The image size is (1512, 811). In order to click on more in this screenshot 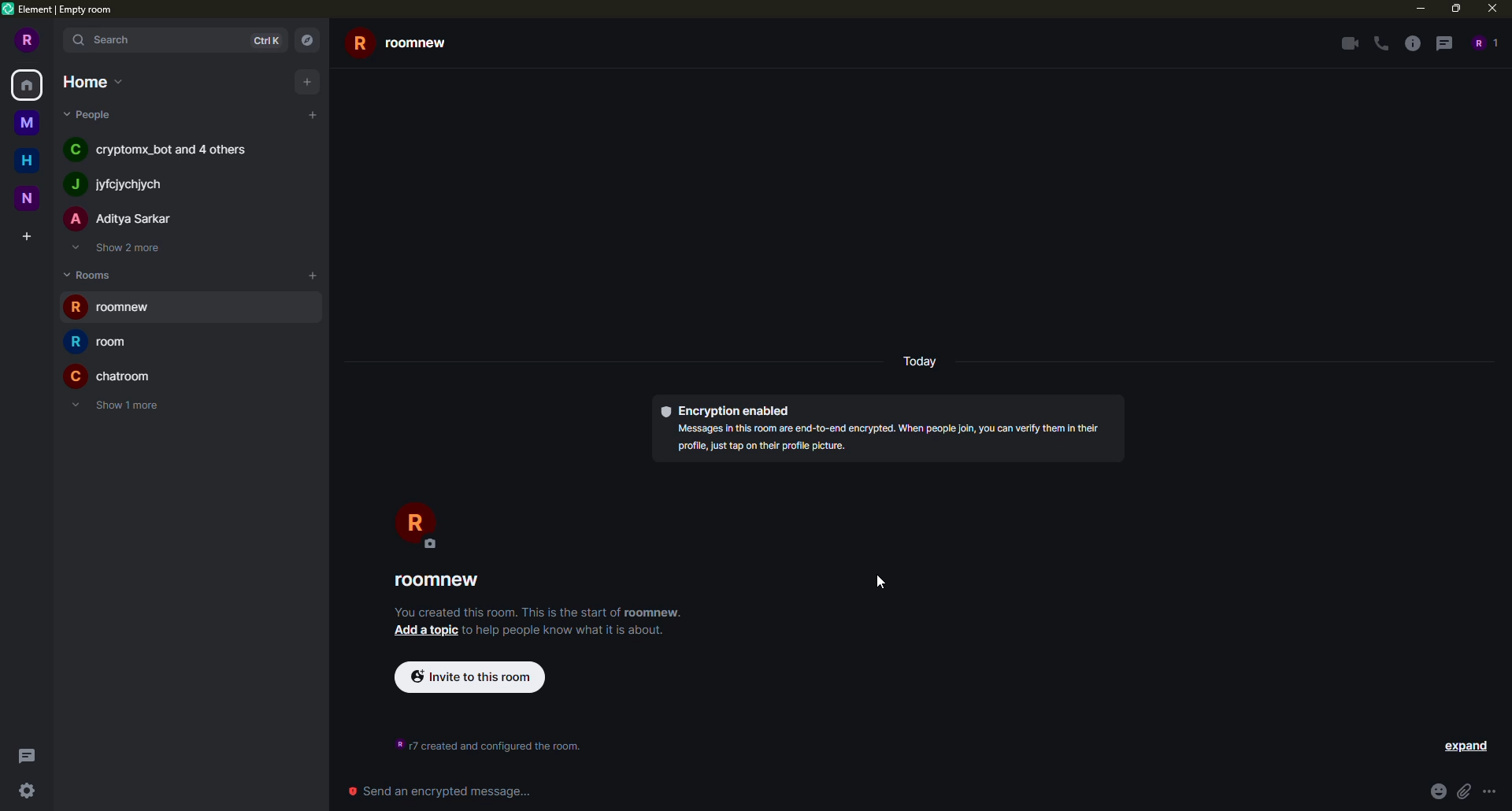, I will do `click(1493, 793)`.